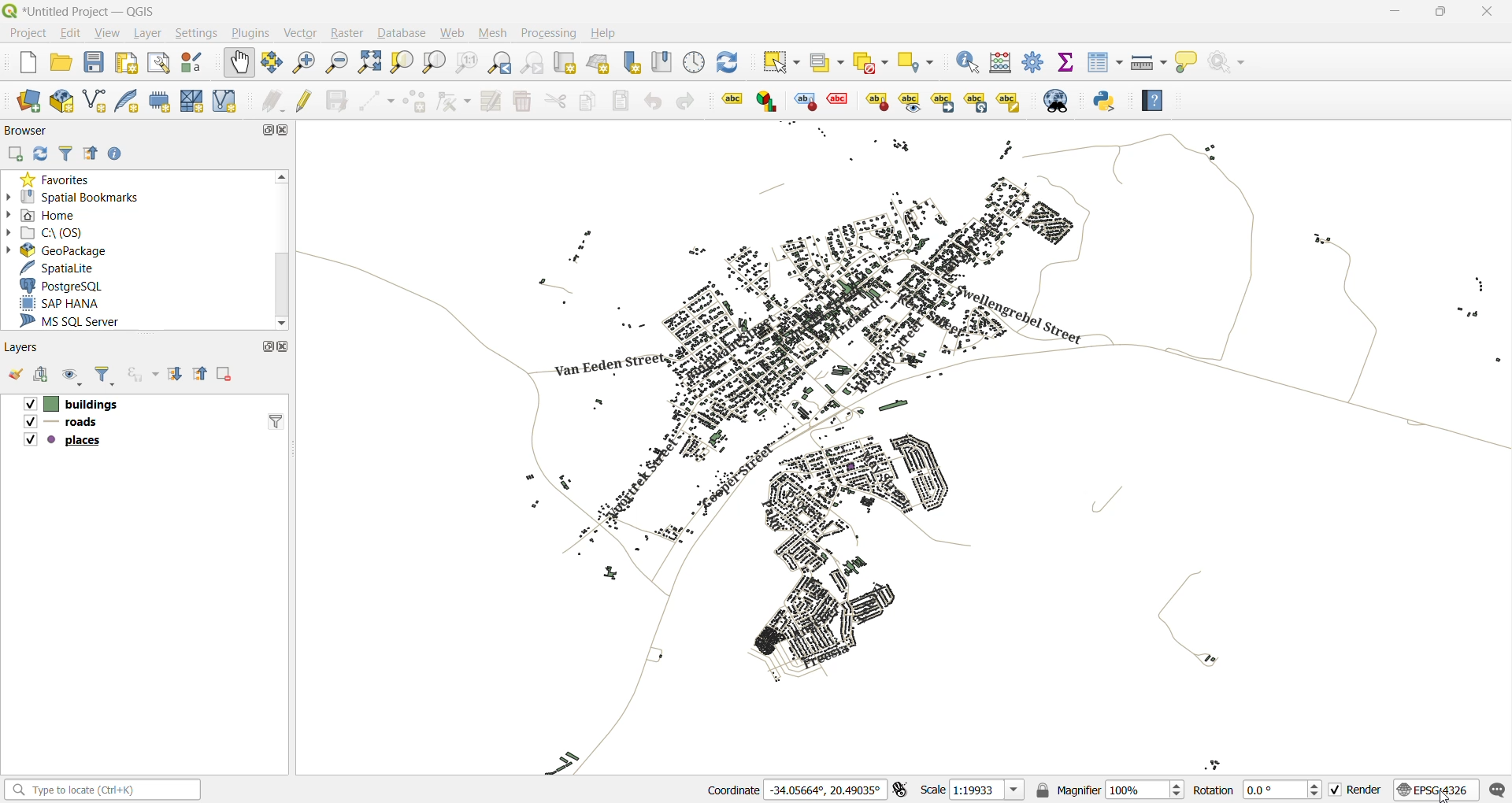 Image resolution: width=1512 pixels, height=803 pixels. I want to click on metasearch, so click(1058, 101).